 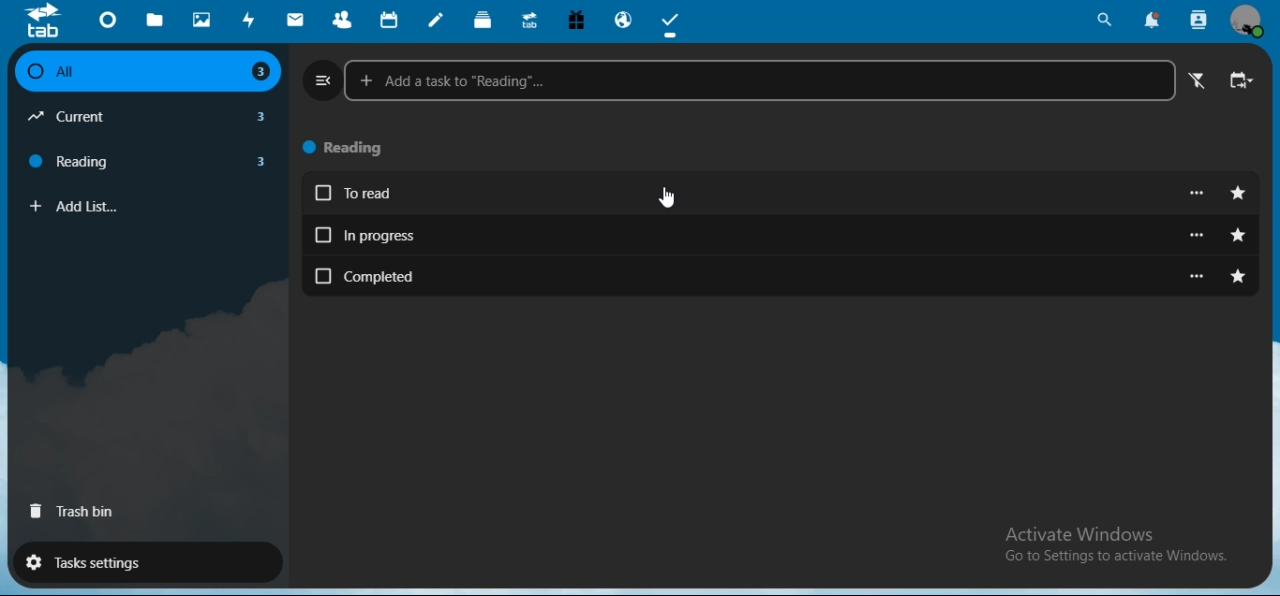 What do you see at coordinates (1242, 83) in the screenshot?
I see `change sort order` at bounding box center [1242, 83].